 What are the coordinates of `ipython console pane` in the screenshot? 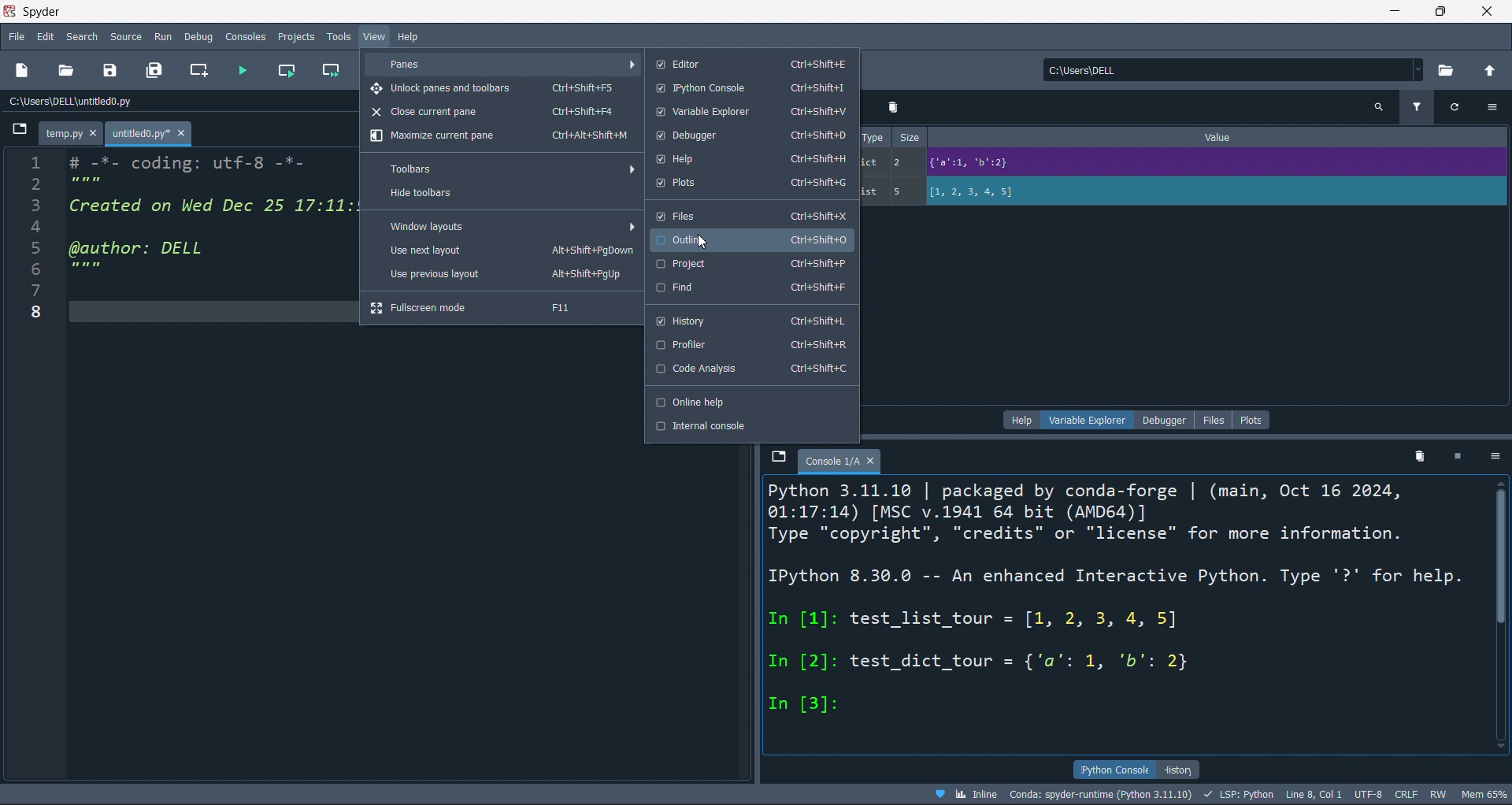 It's located at (1125, 613).